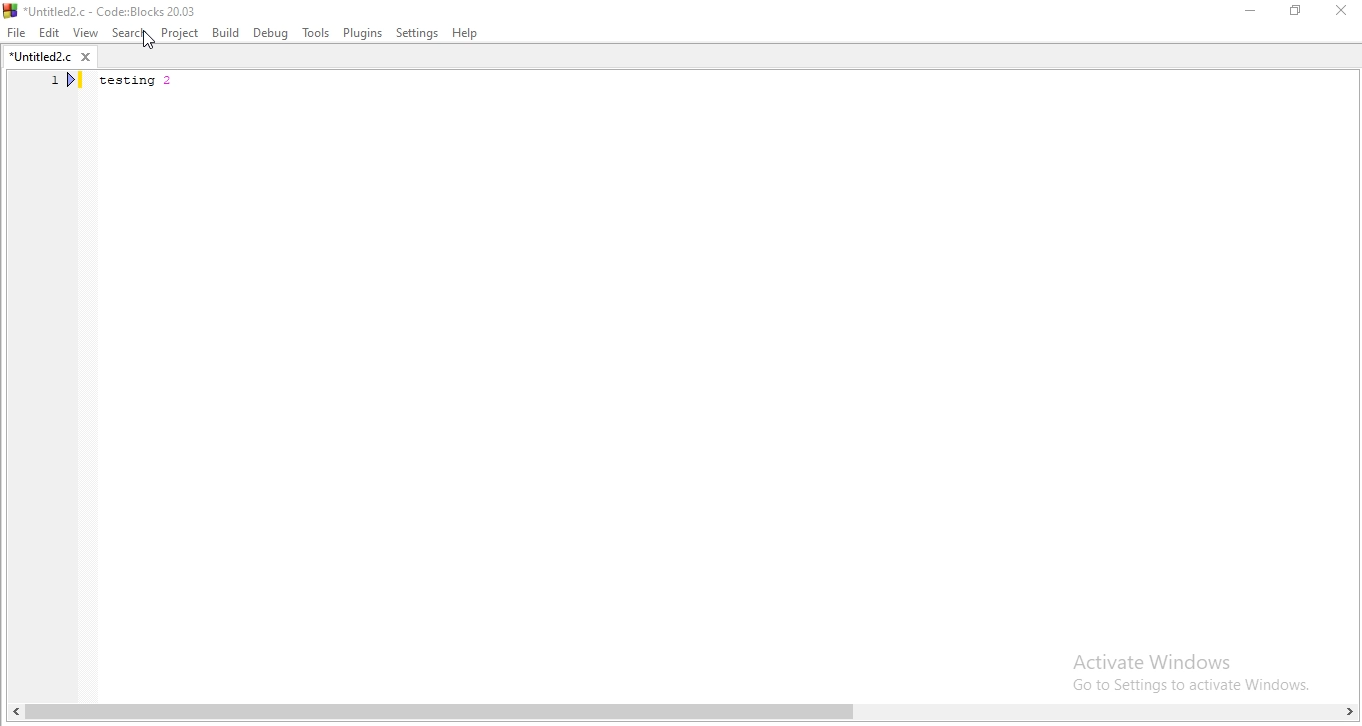 This screenshot has height=726, width=1362. I want to click on testing 2, so click(166, 83).